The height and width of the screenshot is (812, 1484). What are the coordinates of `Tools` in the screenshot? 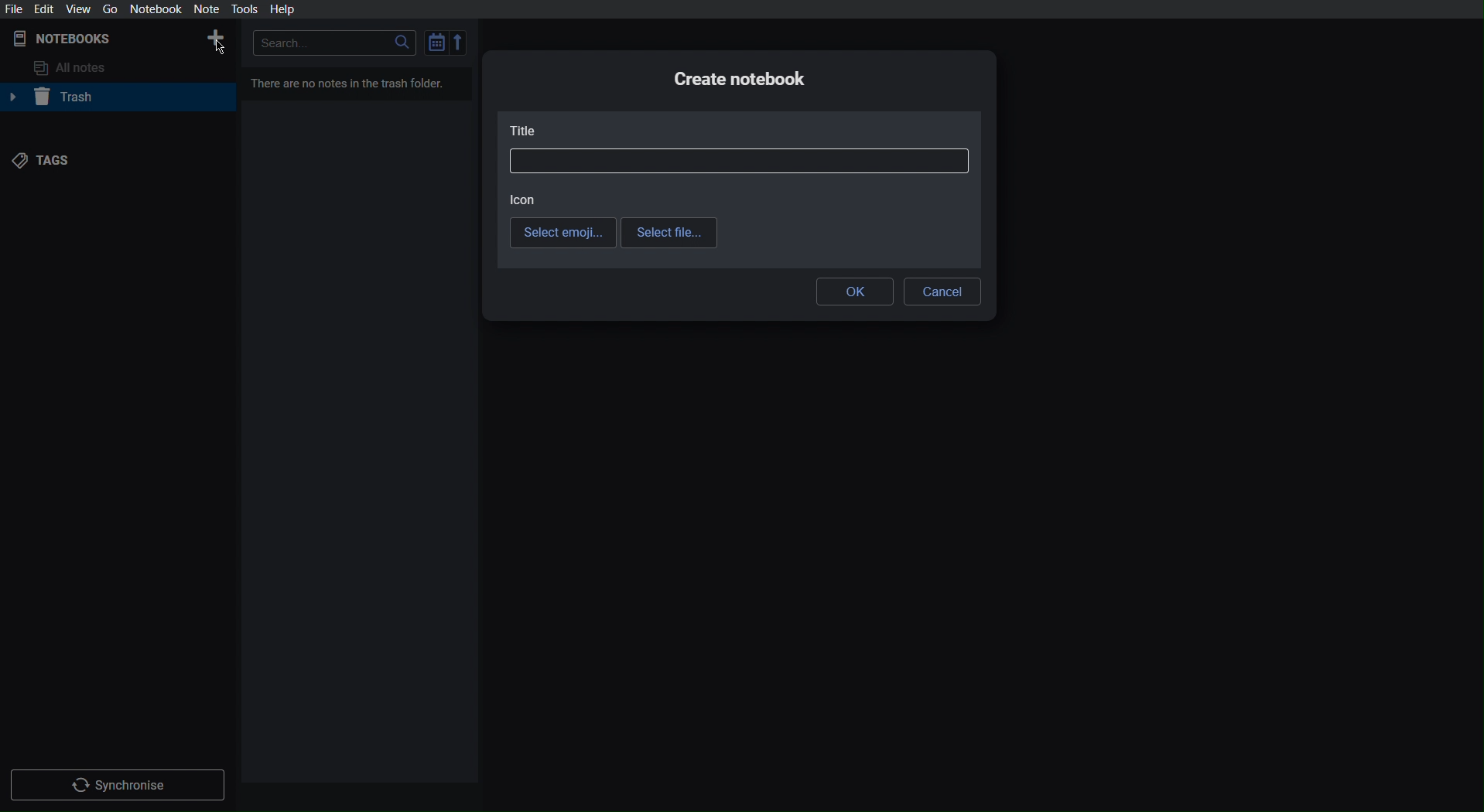 It's located at (244, 9).